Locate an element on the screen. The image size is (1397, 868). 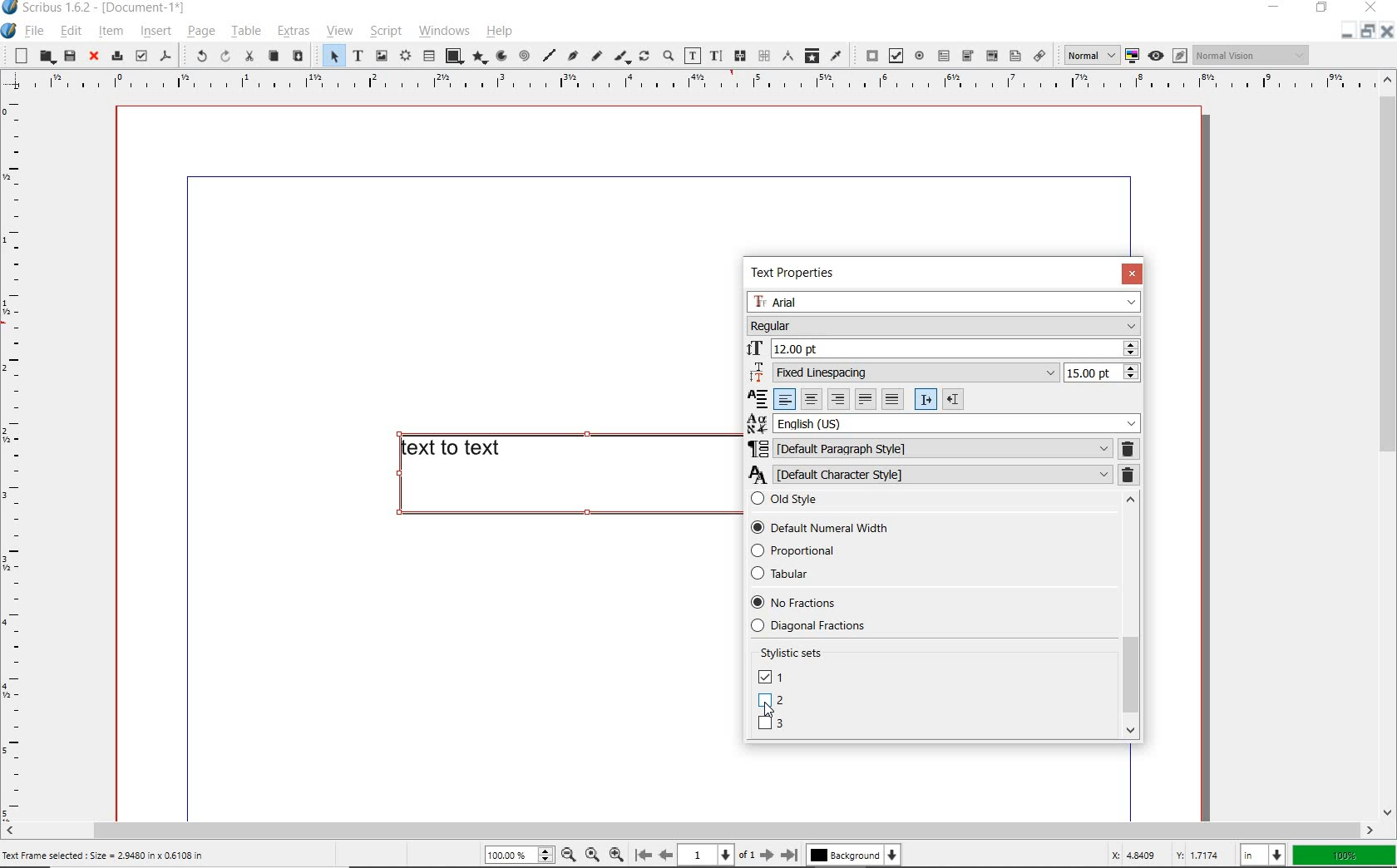
save as pdf is located at coordinates (166, 57).